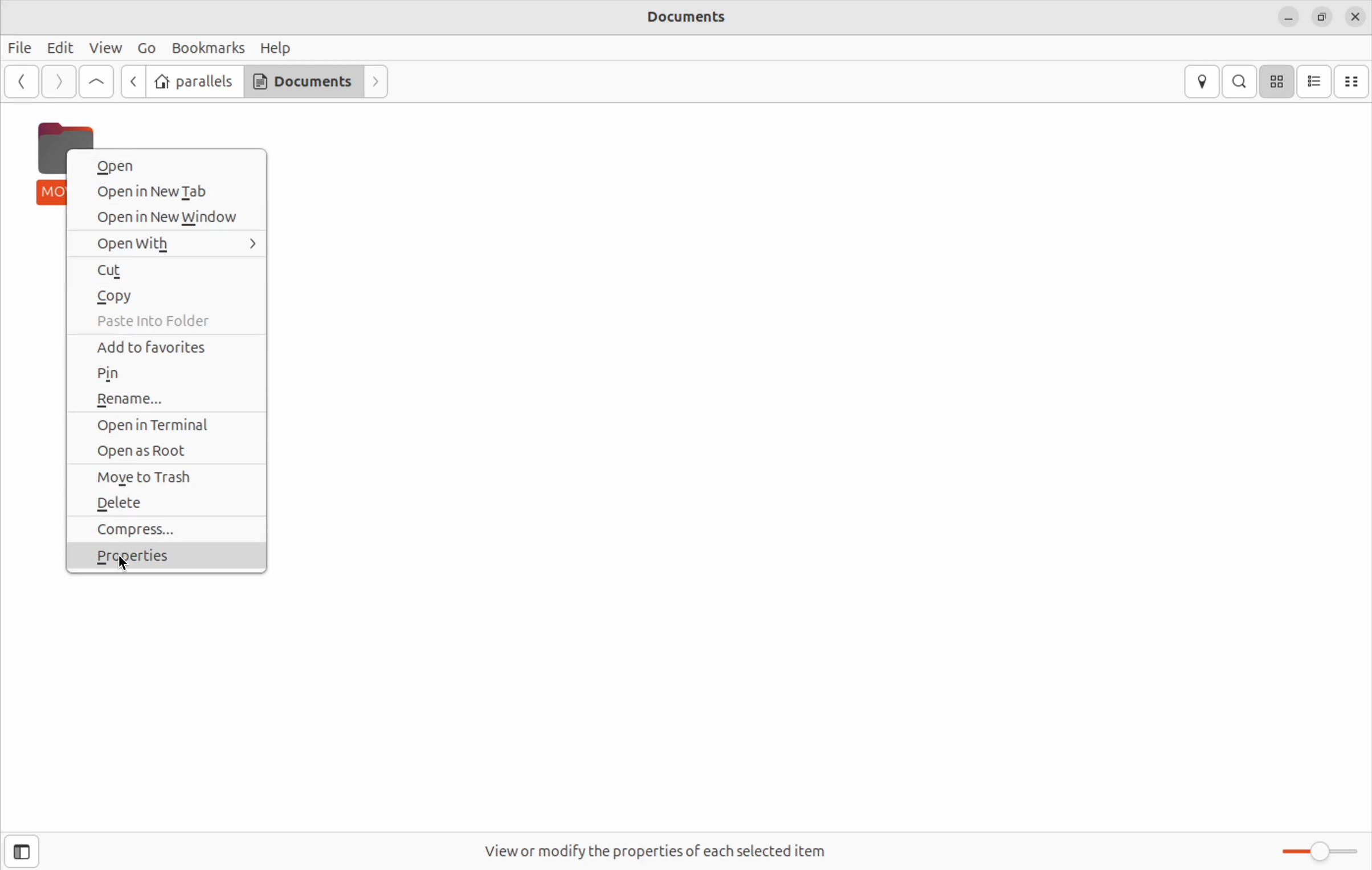 This screenshot has width=1372, height=870. I want to click on minimize, so click(1288, 15).